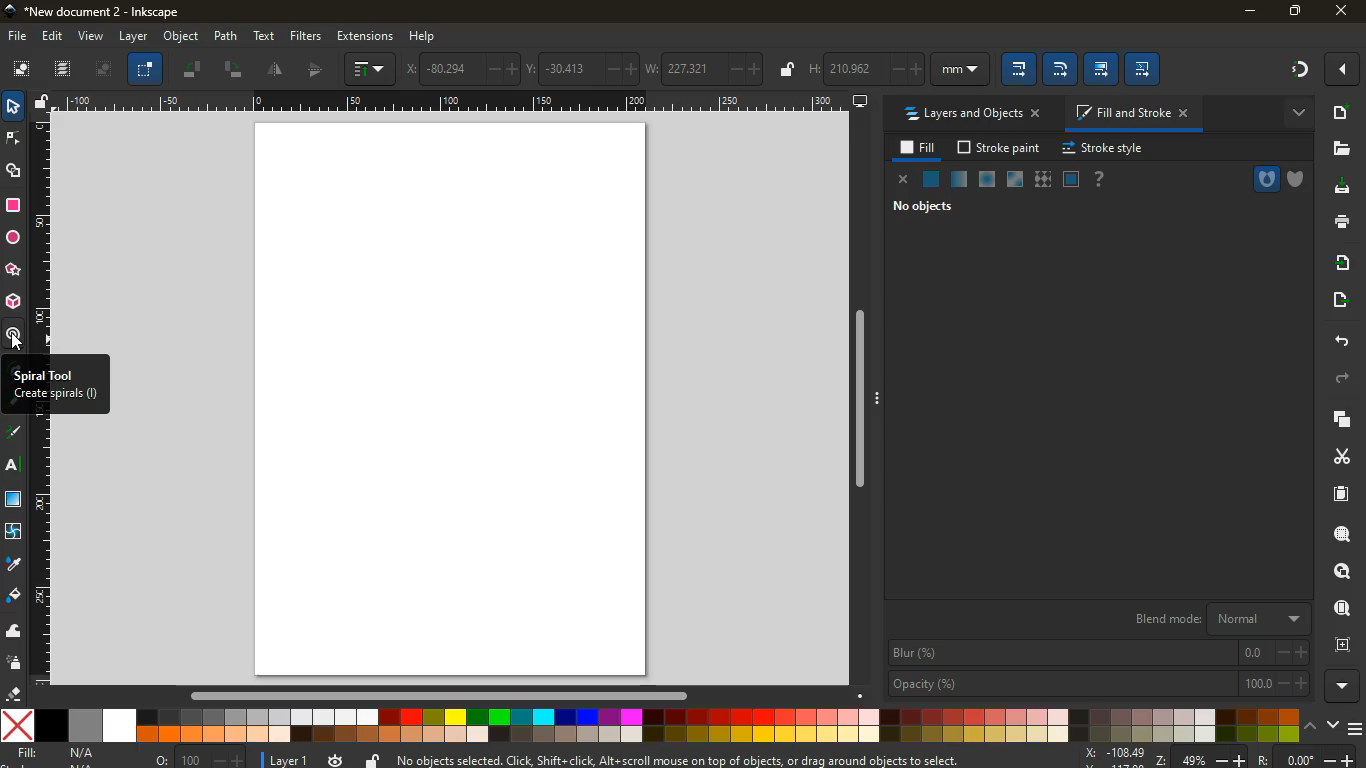  Describe the element at coordinates (649, 726) in the screenshot. I see `color` at that location.